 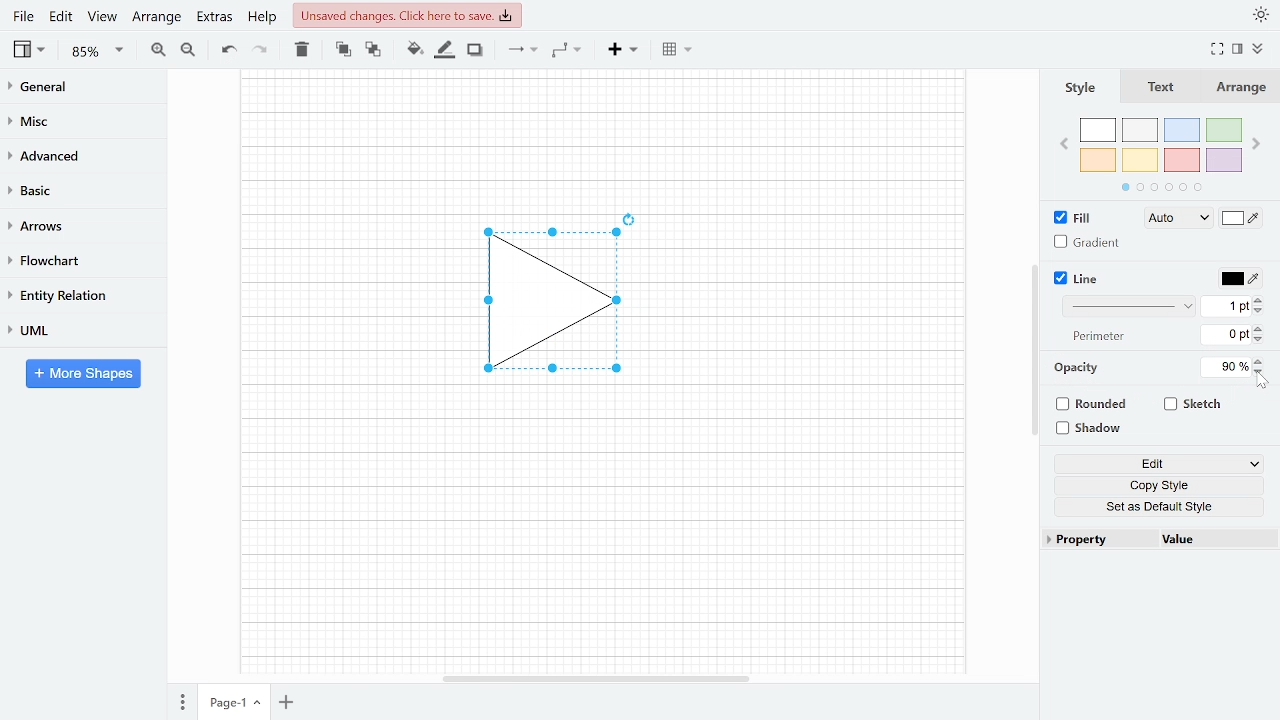 What do you see at coordinates (1184, 130) in the screenshot?
I see `blue` at bounding box center [1184, 130].